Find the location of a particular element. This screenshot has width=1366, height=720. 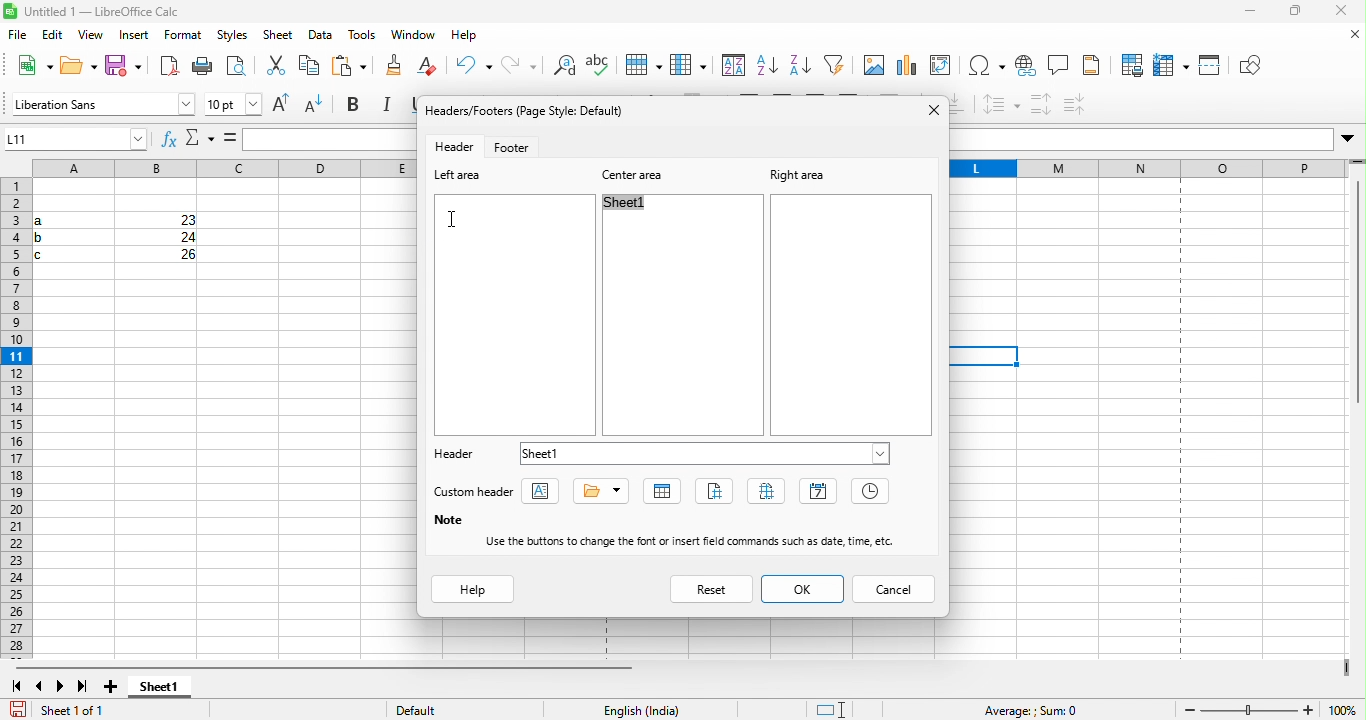

horizontal scroll bar is located at coordinates (323, 662).